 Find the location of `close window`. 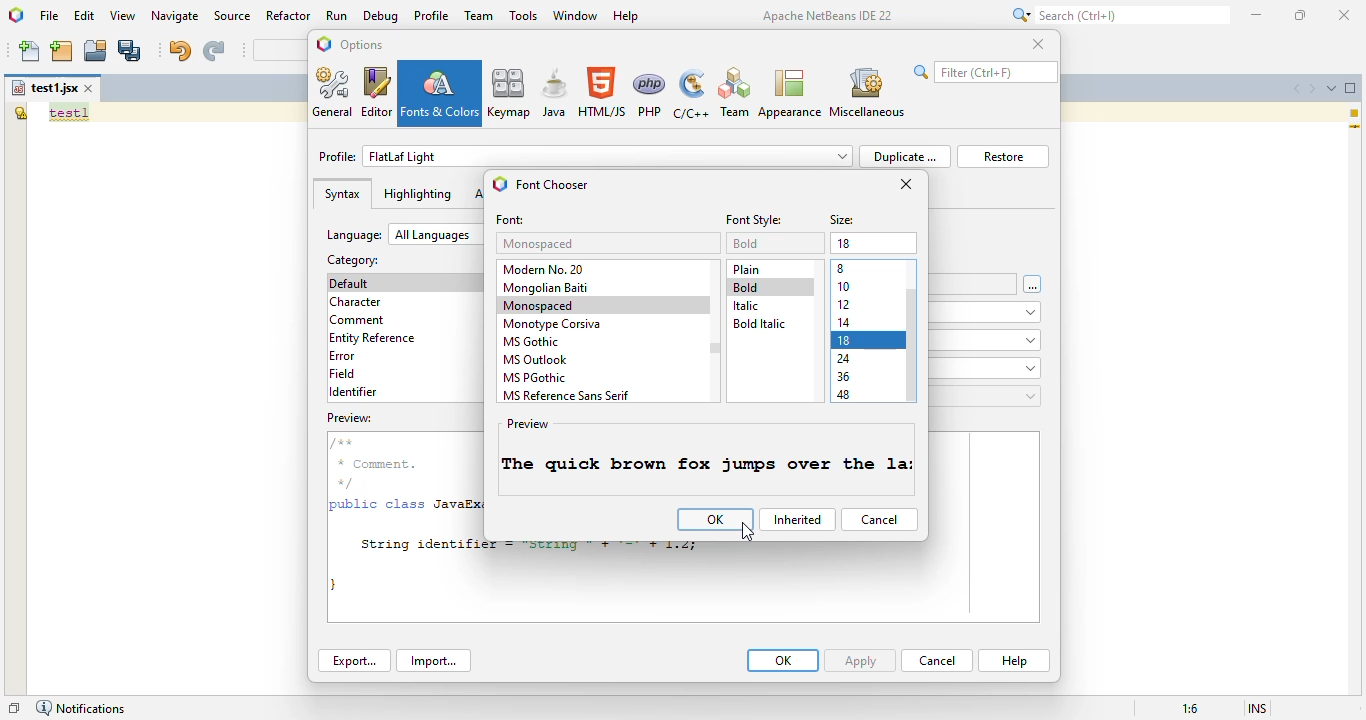

close window is located at coordinates (90, 88).